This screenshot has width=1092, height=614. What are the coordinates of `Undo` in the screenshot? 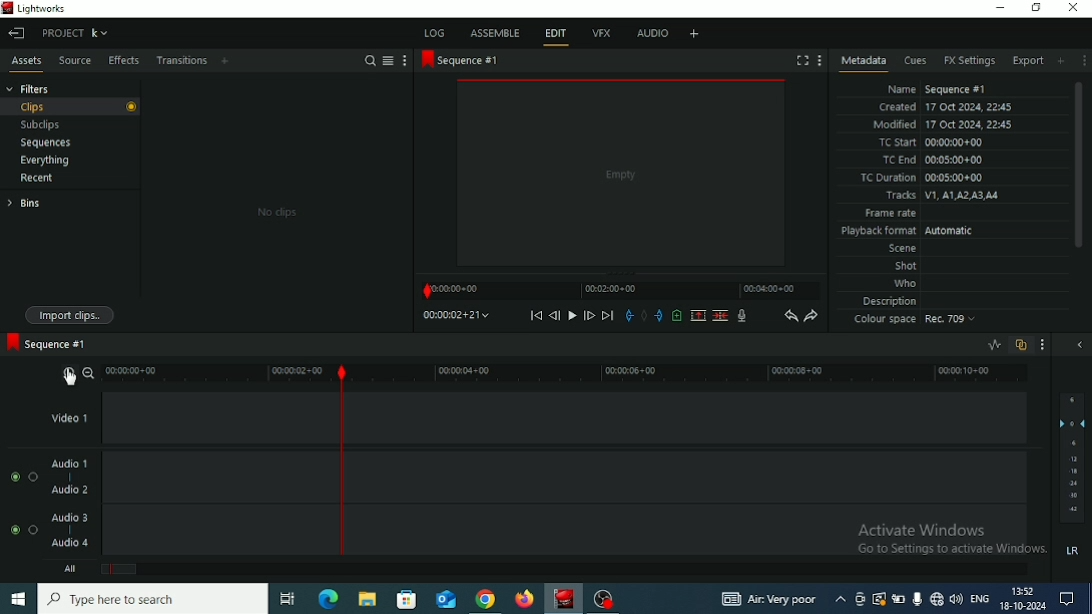 It's located at (790, 317).